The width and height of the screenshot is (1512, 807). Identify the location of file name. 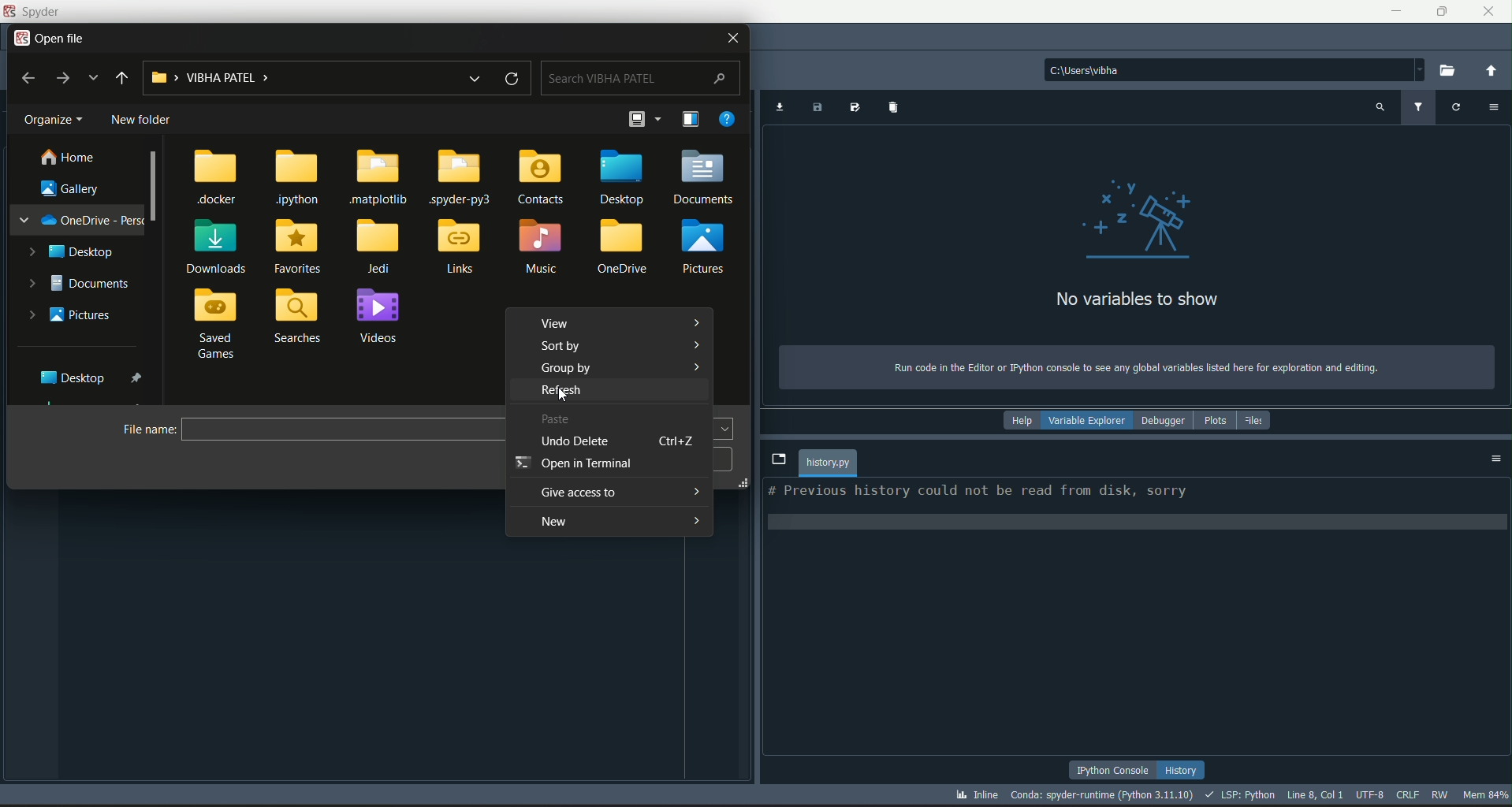
(829, 463).